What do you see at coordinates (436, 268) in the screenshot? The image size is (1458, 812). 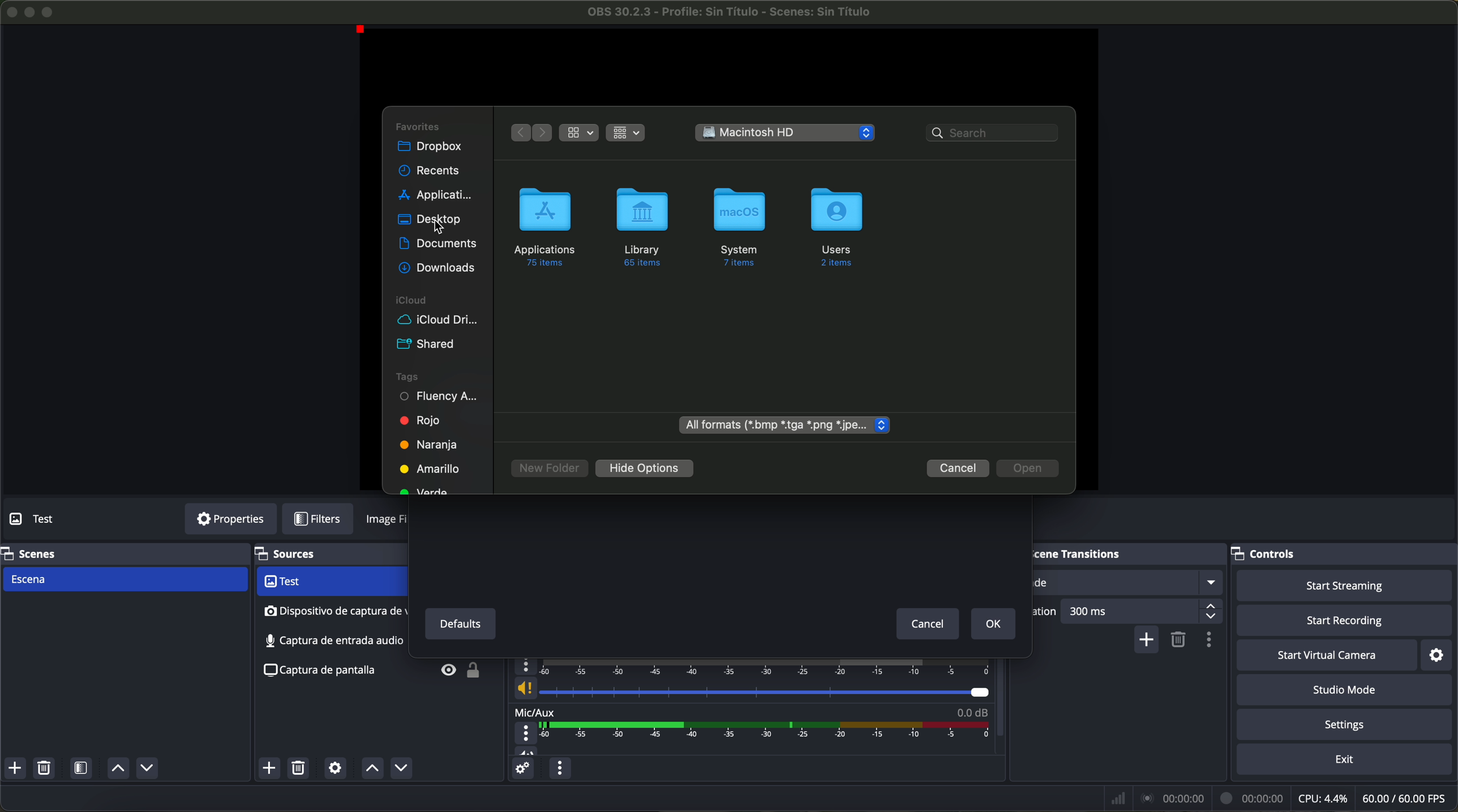 I see `downloads` at bounding box center [436, 268].